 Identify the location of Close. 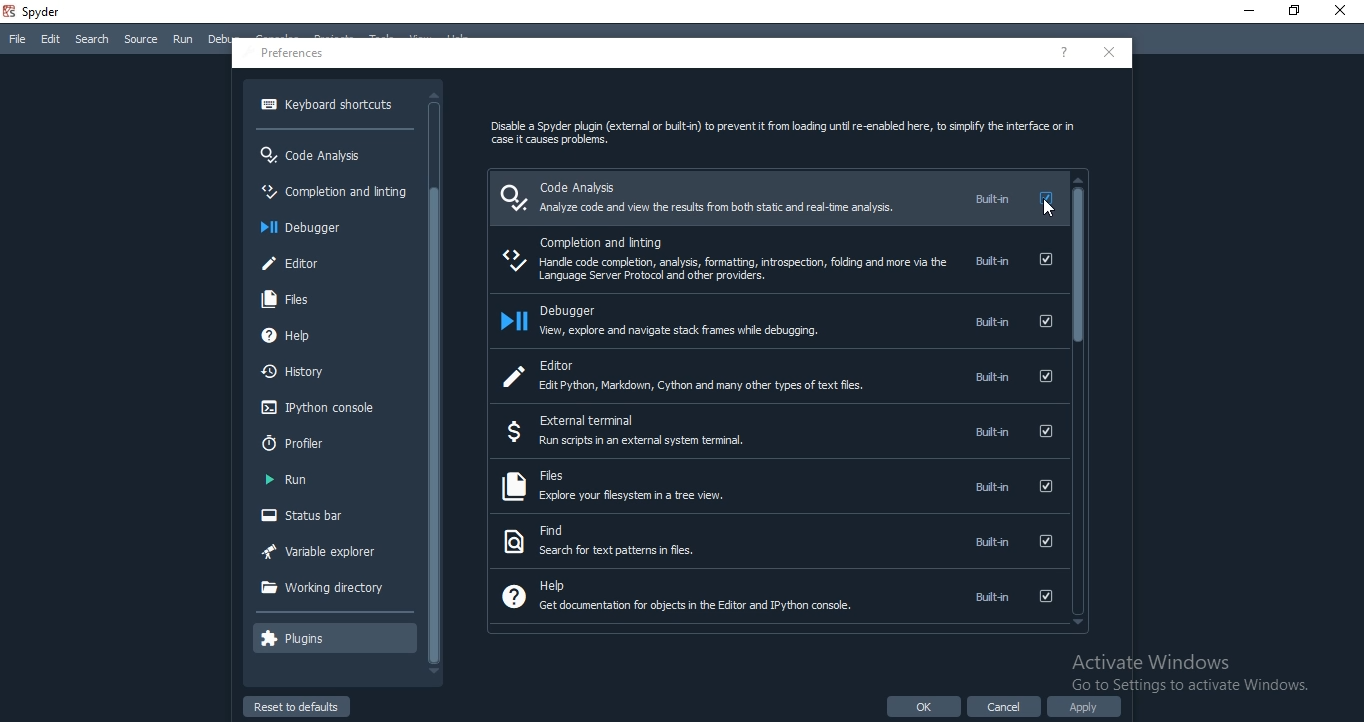
(1344, 11).